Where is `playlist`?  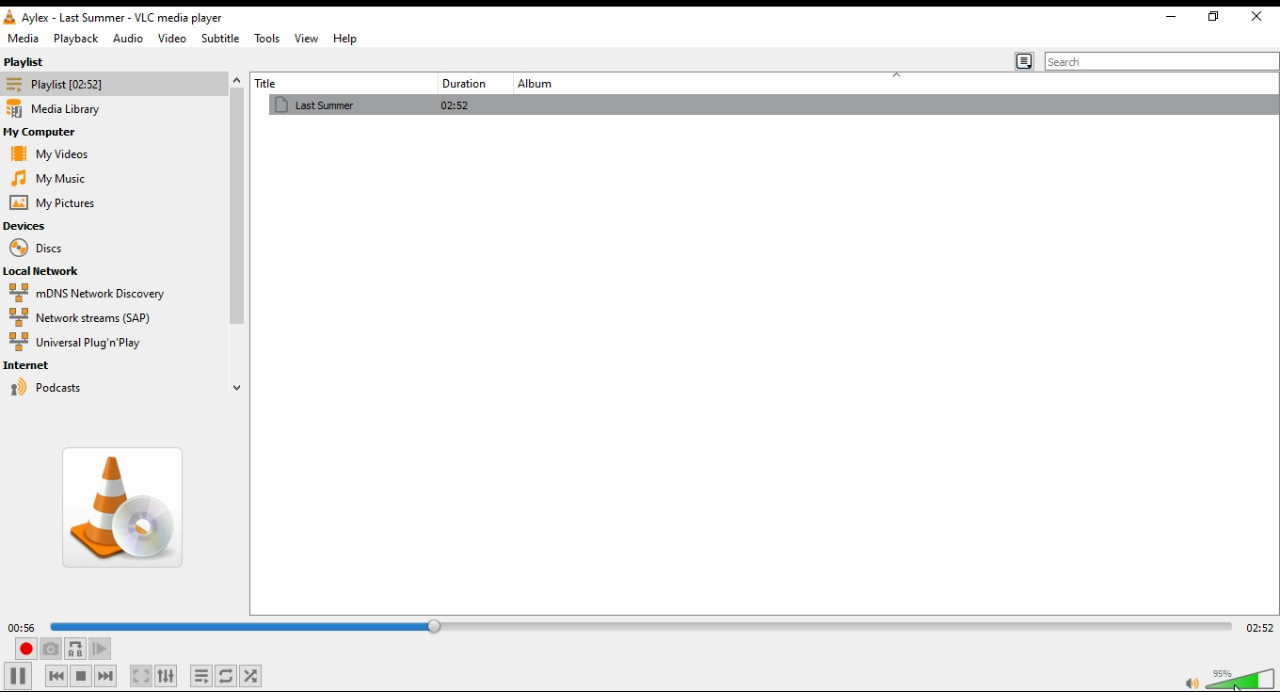
playlist is located at coordinates (64, 85).